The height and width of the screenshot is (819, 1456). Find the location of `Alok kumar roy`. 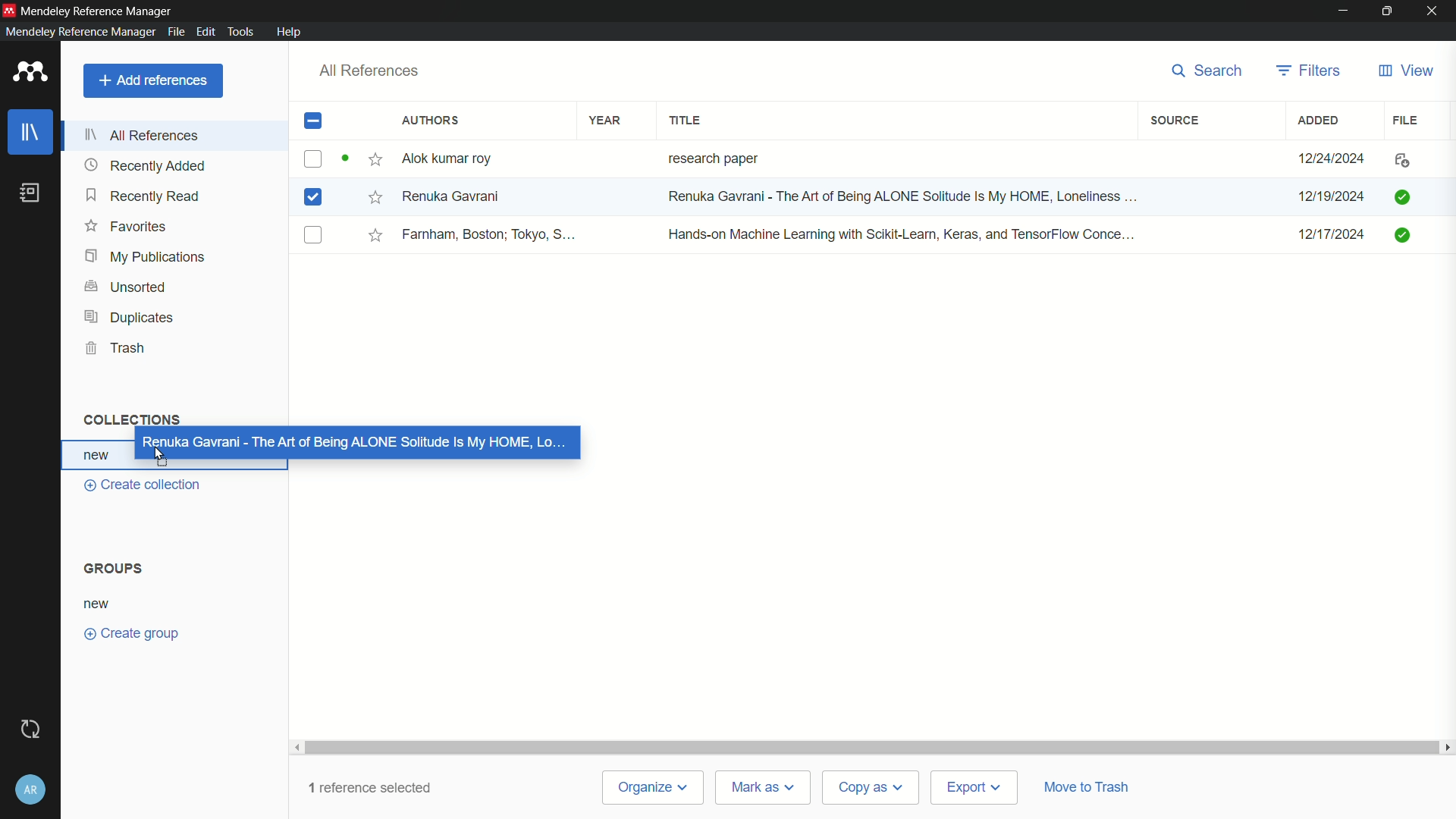

Alok kumar roy is located at coordinates (448, 158).